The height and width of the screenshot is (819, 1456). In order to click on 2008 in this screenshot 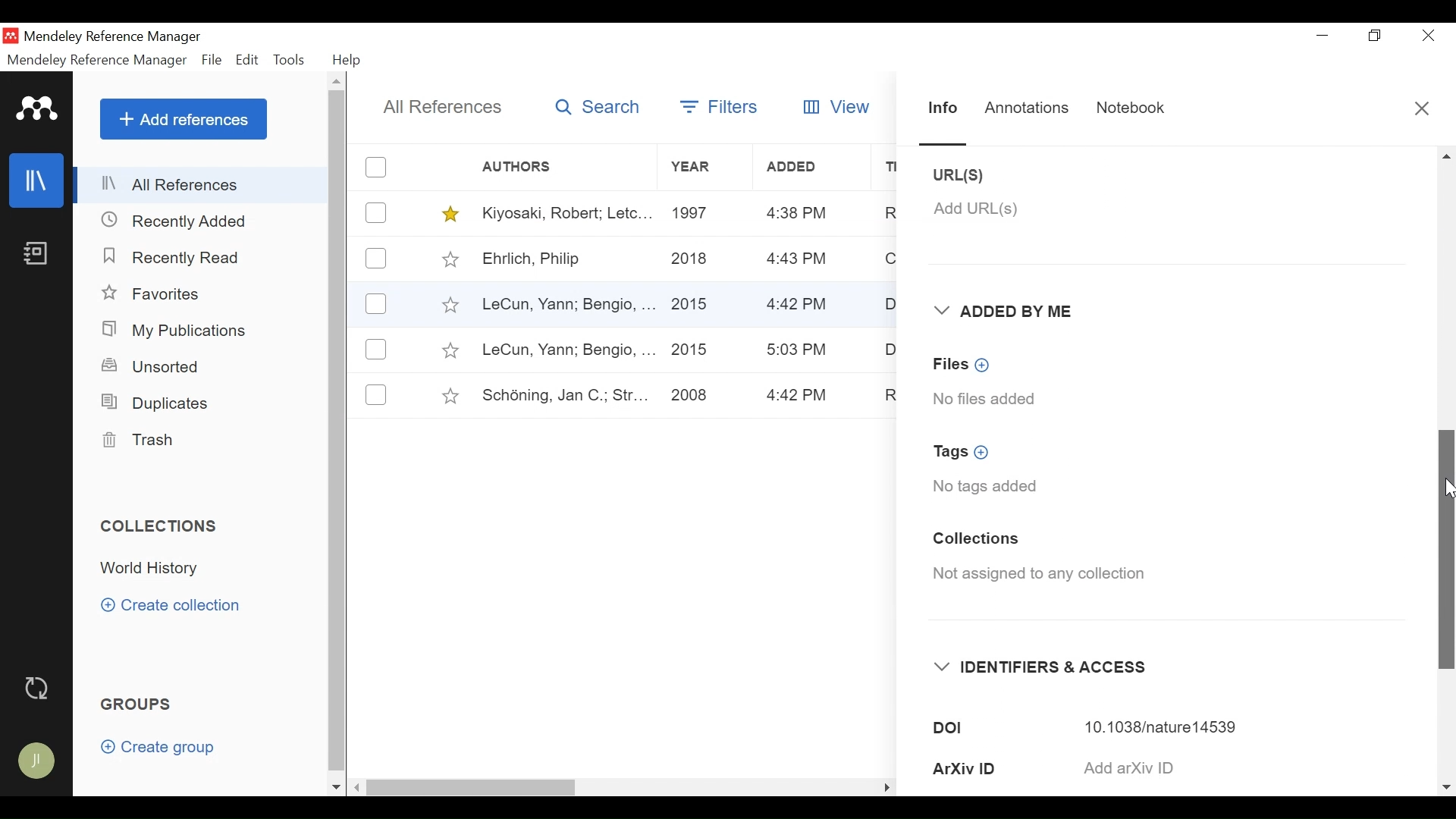, I will do `click(689, 397)`.